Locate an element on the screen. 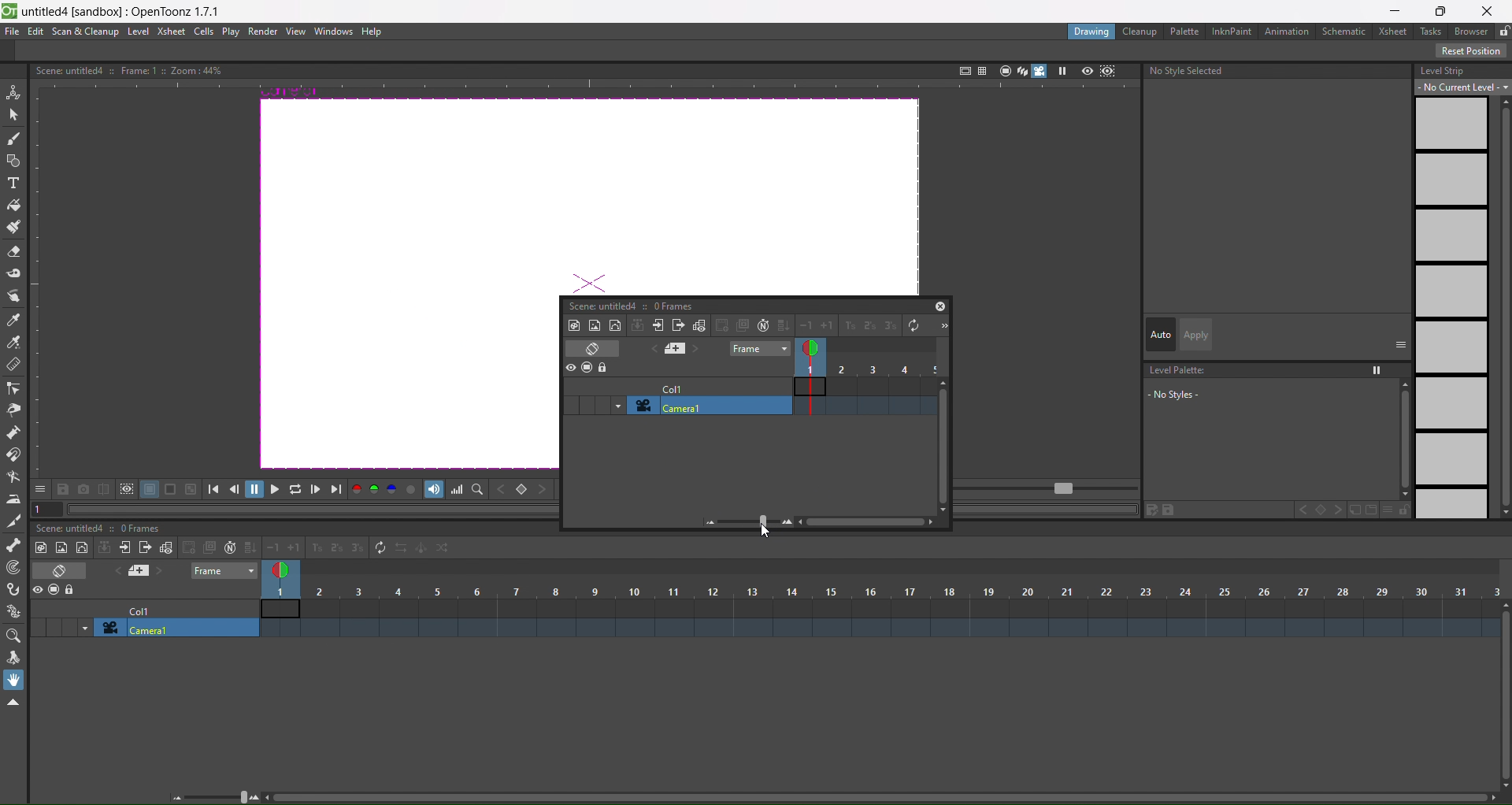 This screenshot has height=805, width=1512. FPS  is located at coordinates (1048, 489).